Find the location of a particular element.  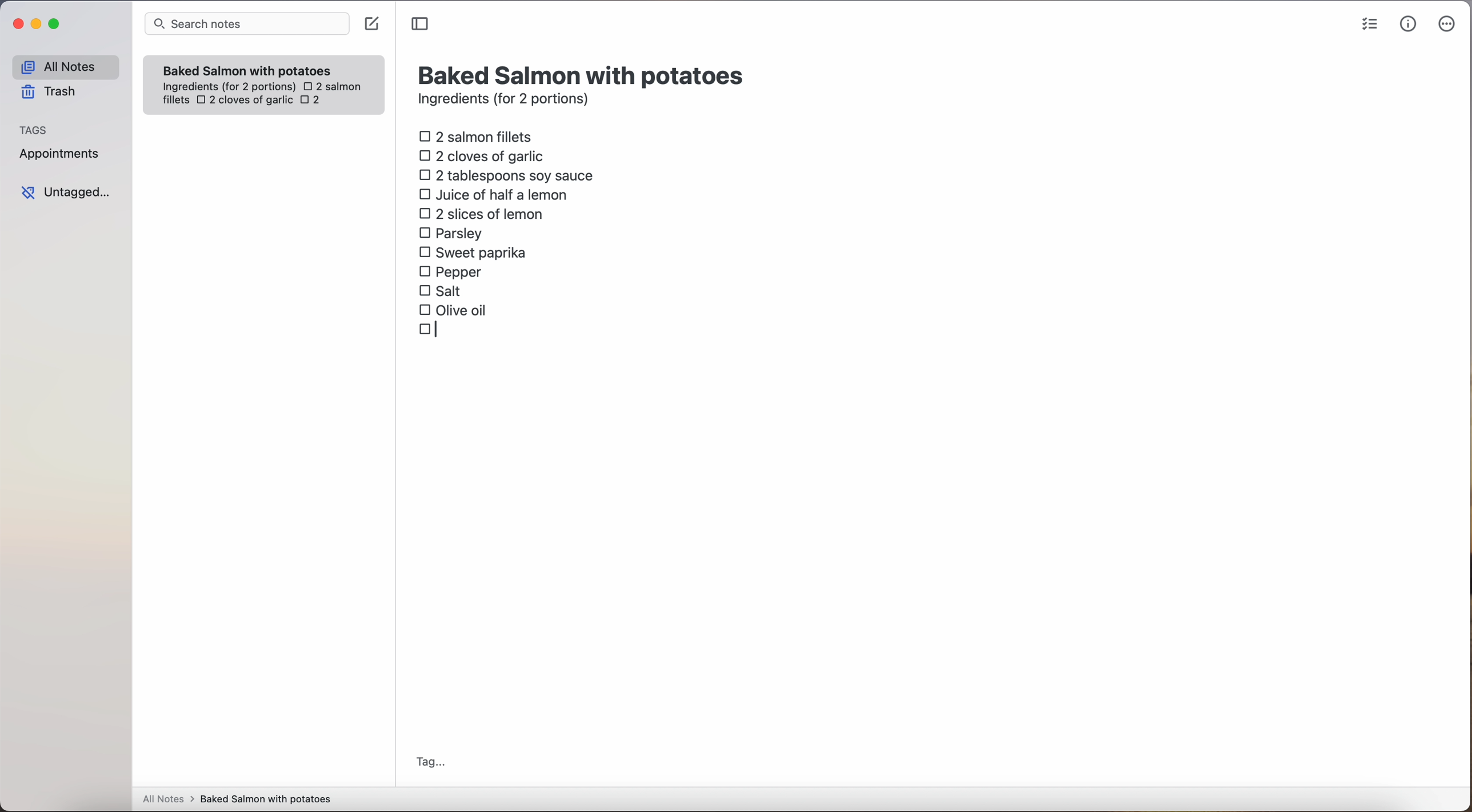

trash is located at coordinates (53, 92).